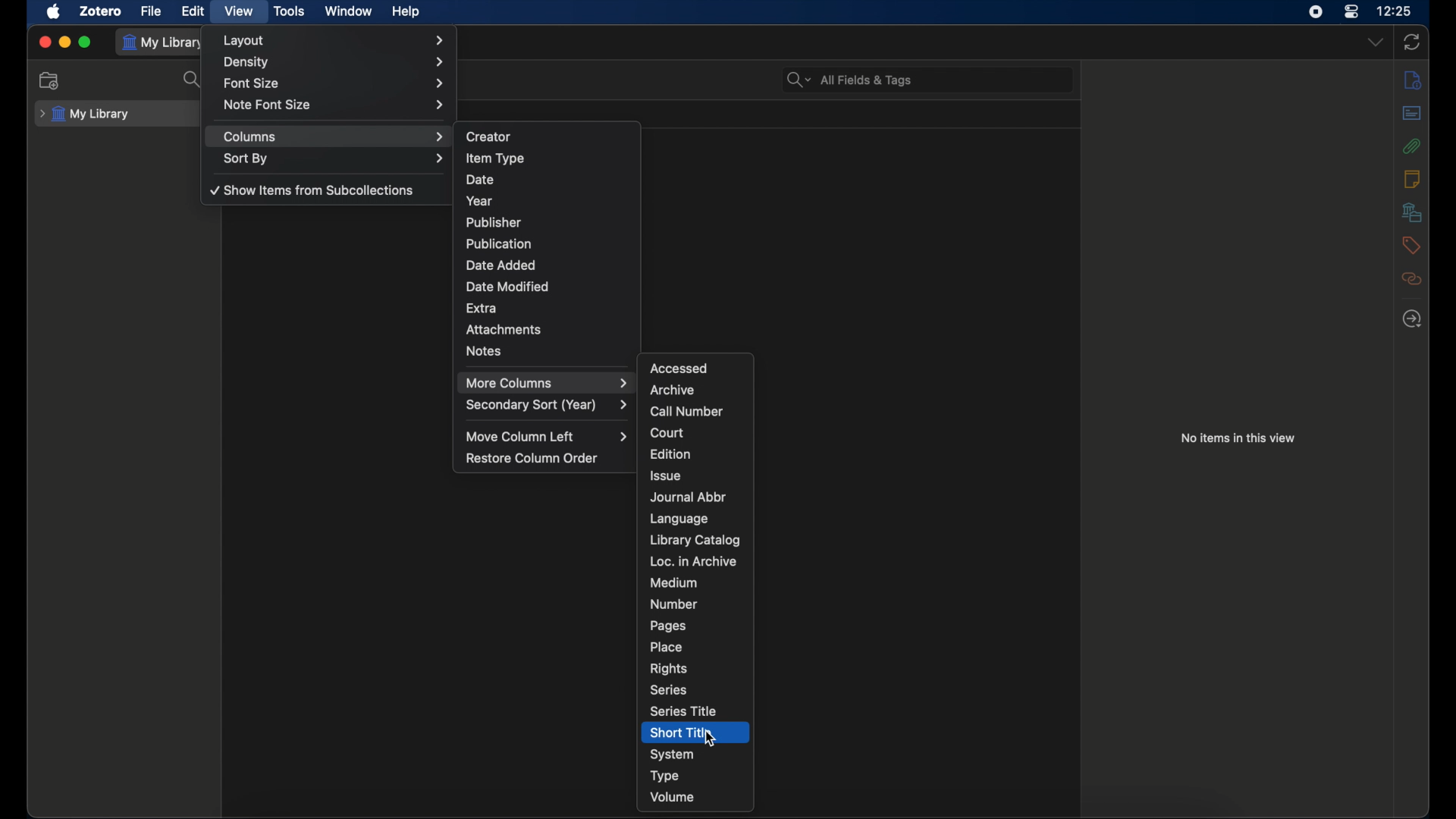 This screenshot has height=819, width=1456. What do you see at coordinates (479, 180) in the screenshot?
I see `date` at bounding box center [479, 180].